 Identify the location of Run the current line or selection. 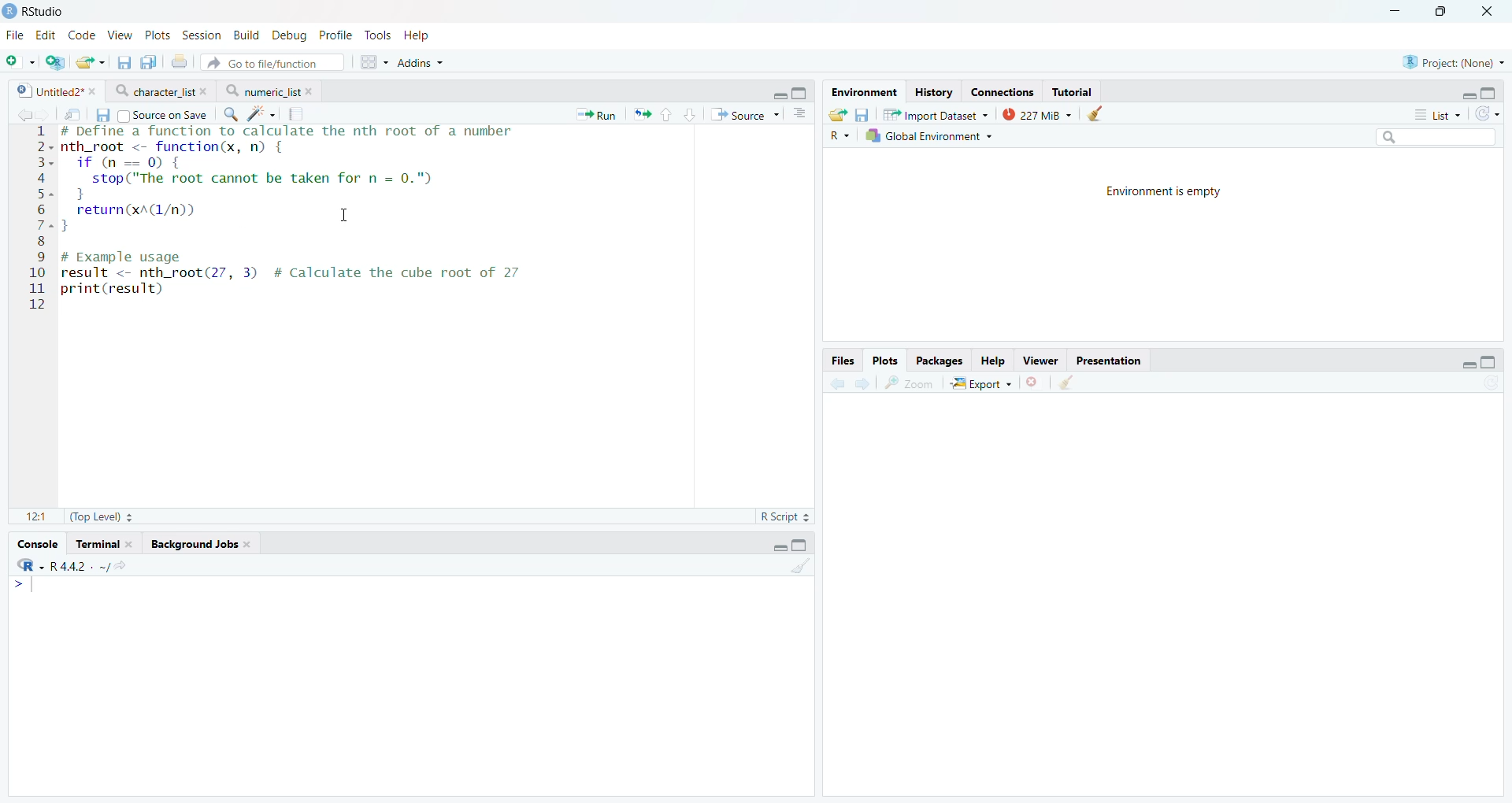
(596, 115).